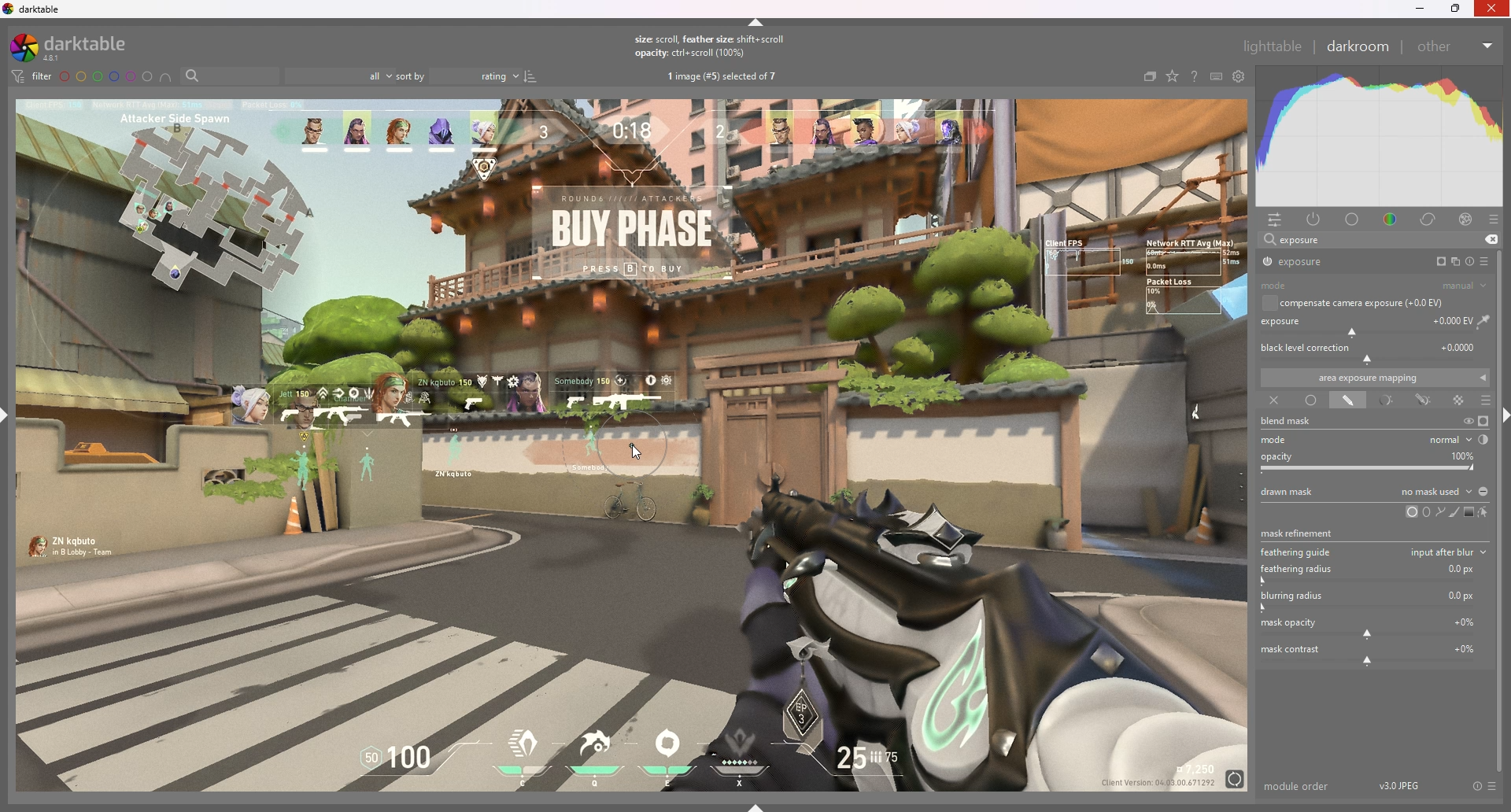 Image resolution: width=1511 pixels, height=812 pixels. I want to click on help, so click(1192, 76).